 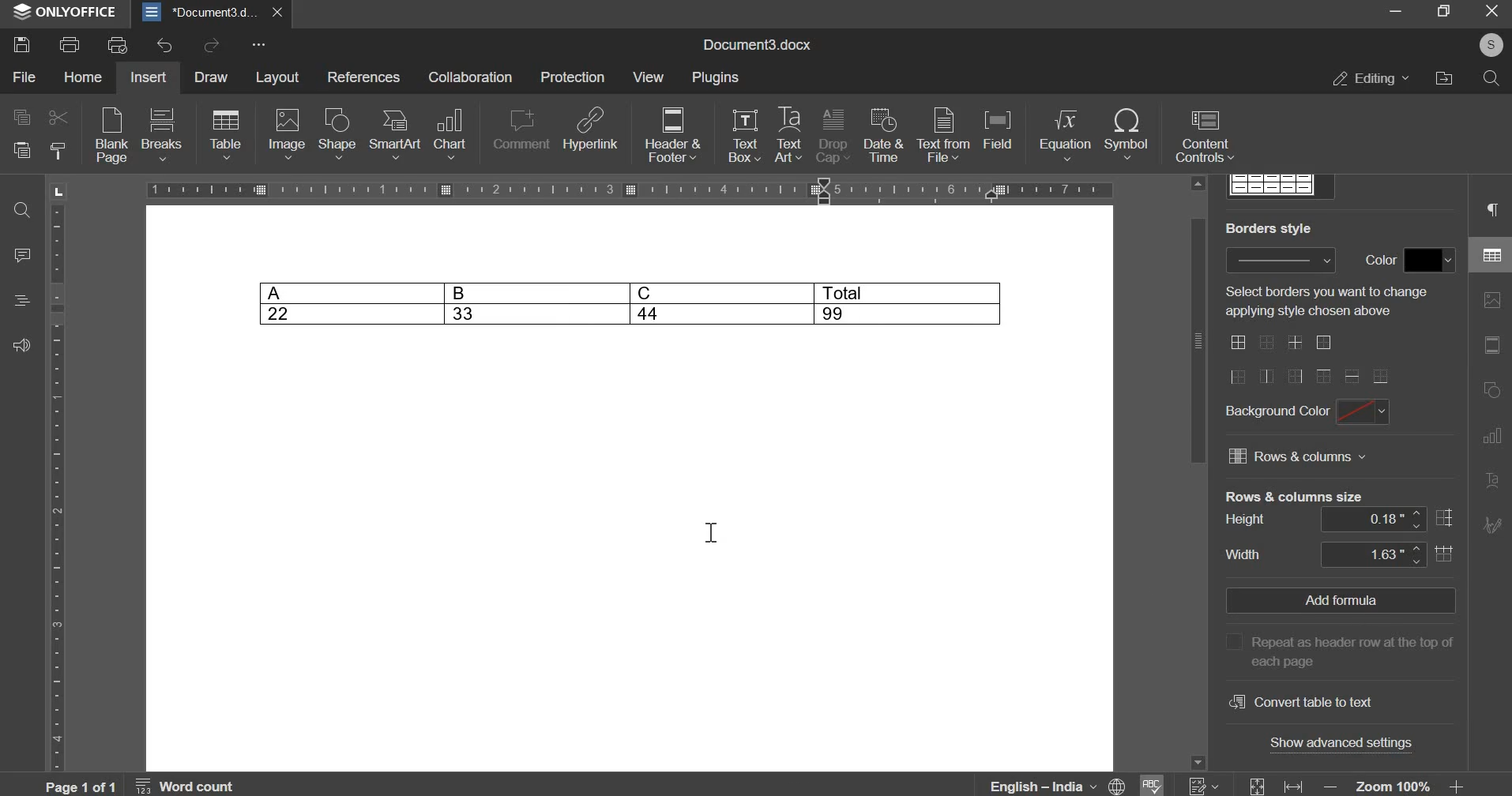 What do you see at coordinates (82, 78) in the screenshot?
I see `home` at bounding box center [82, 78].